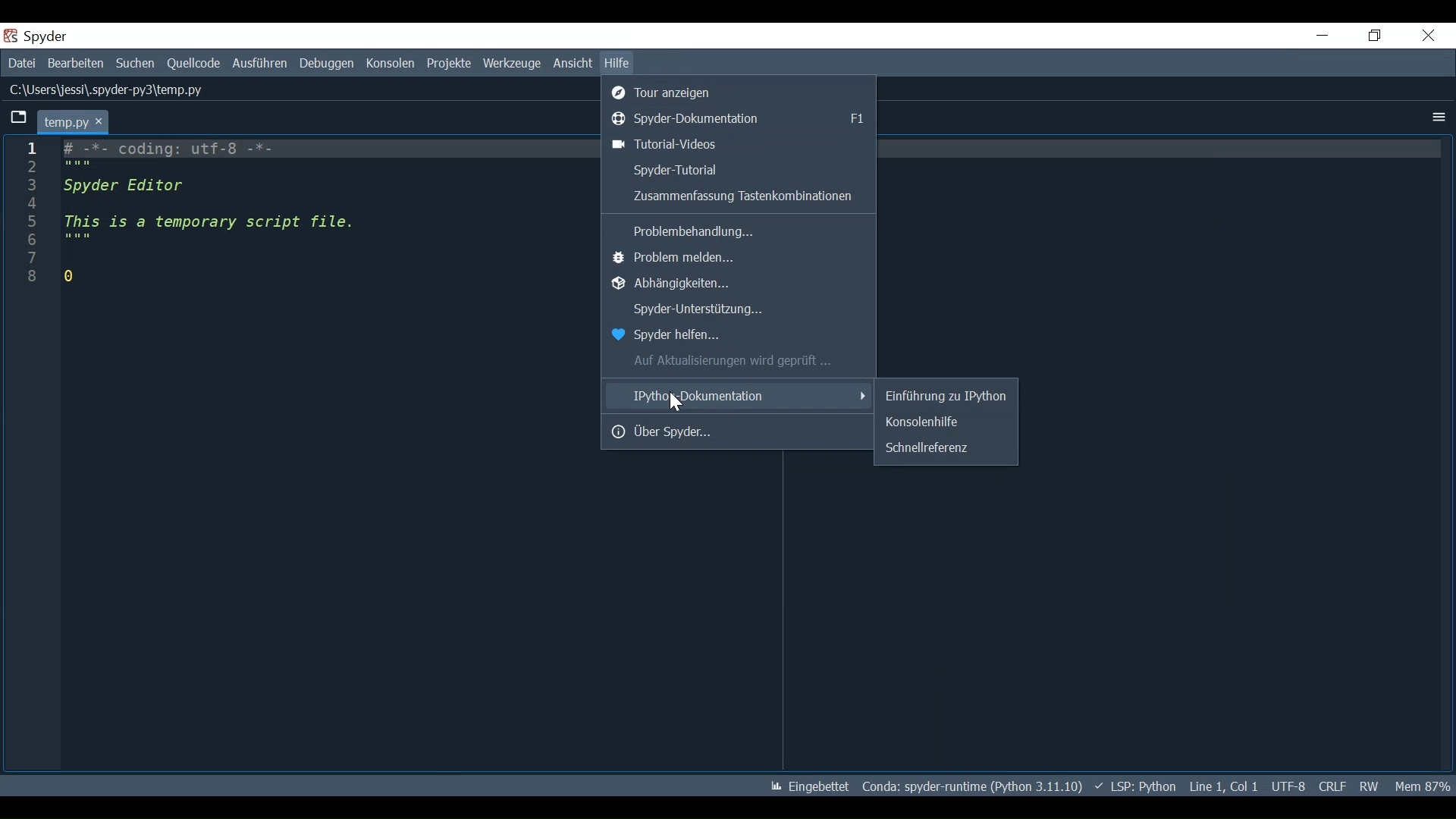  I want to click on Check for Updates, so click(740, 361).